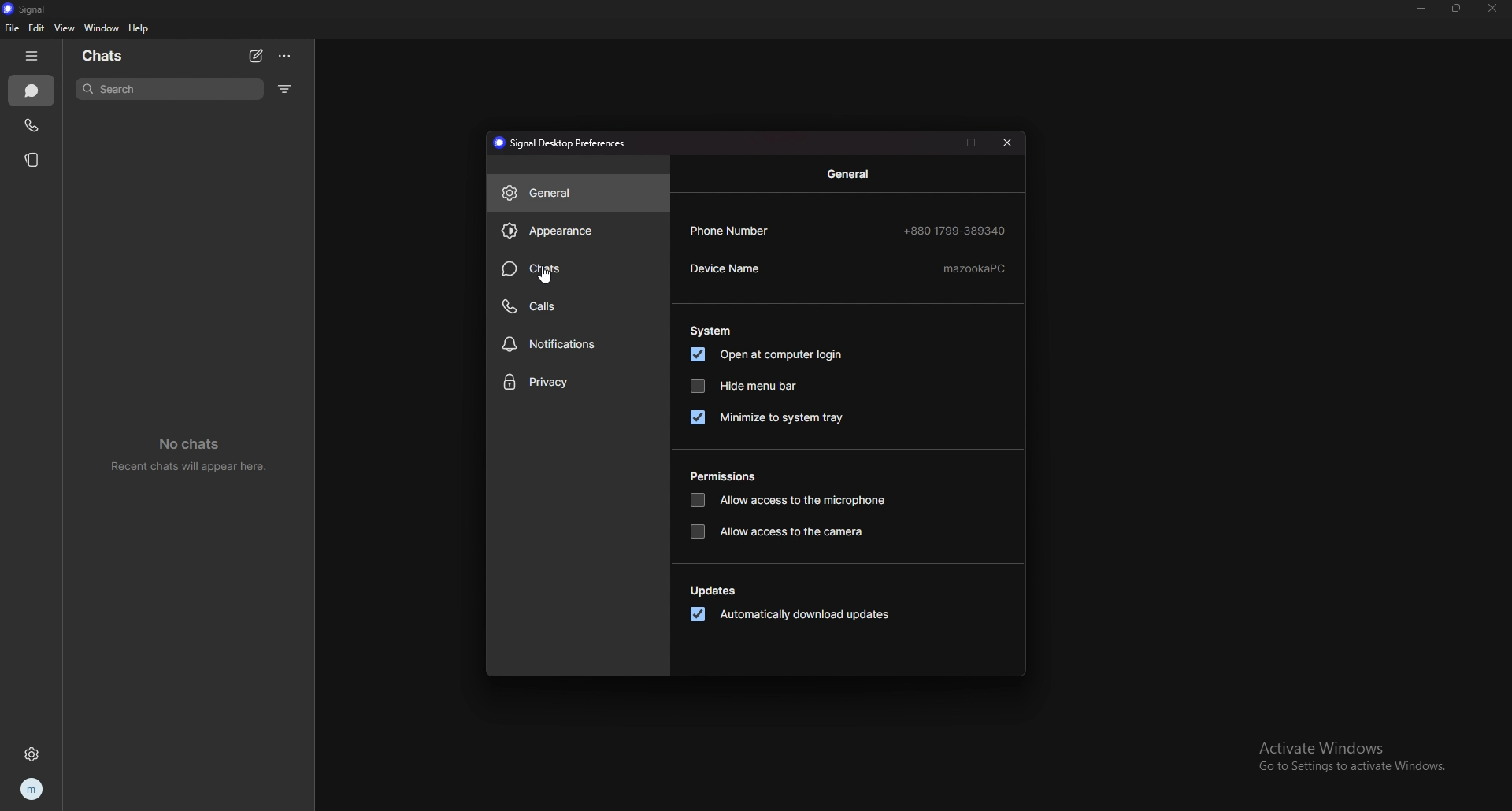 The image size is (1512, 811). I want to click on file, so click(12, 28).